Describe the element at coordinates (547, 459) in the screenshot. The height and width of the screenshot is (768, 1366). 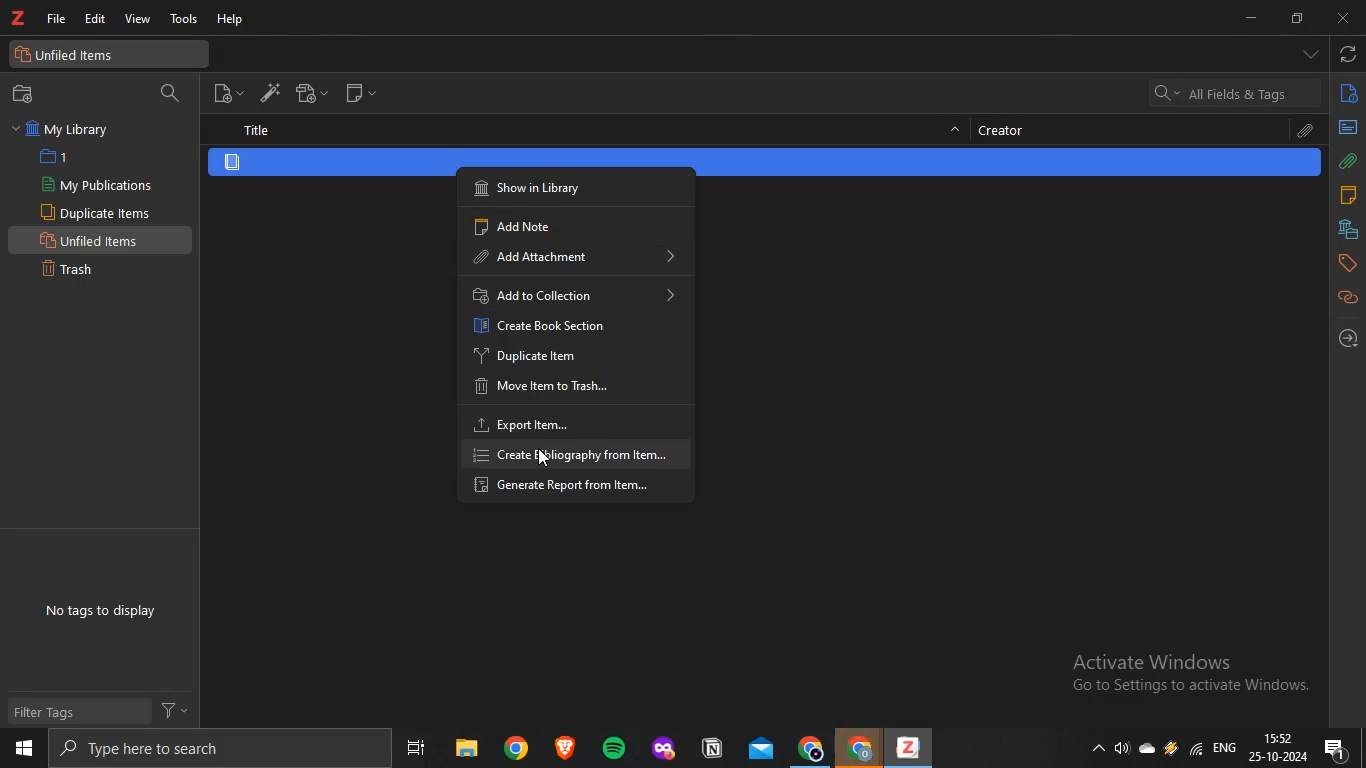
I see `cursor` at that location.